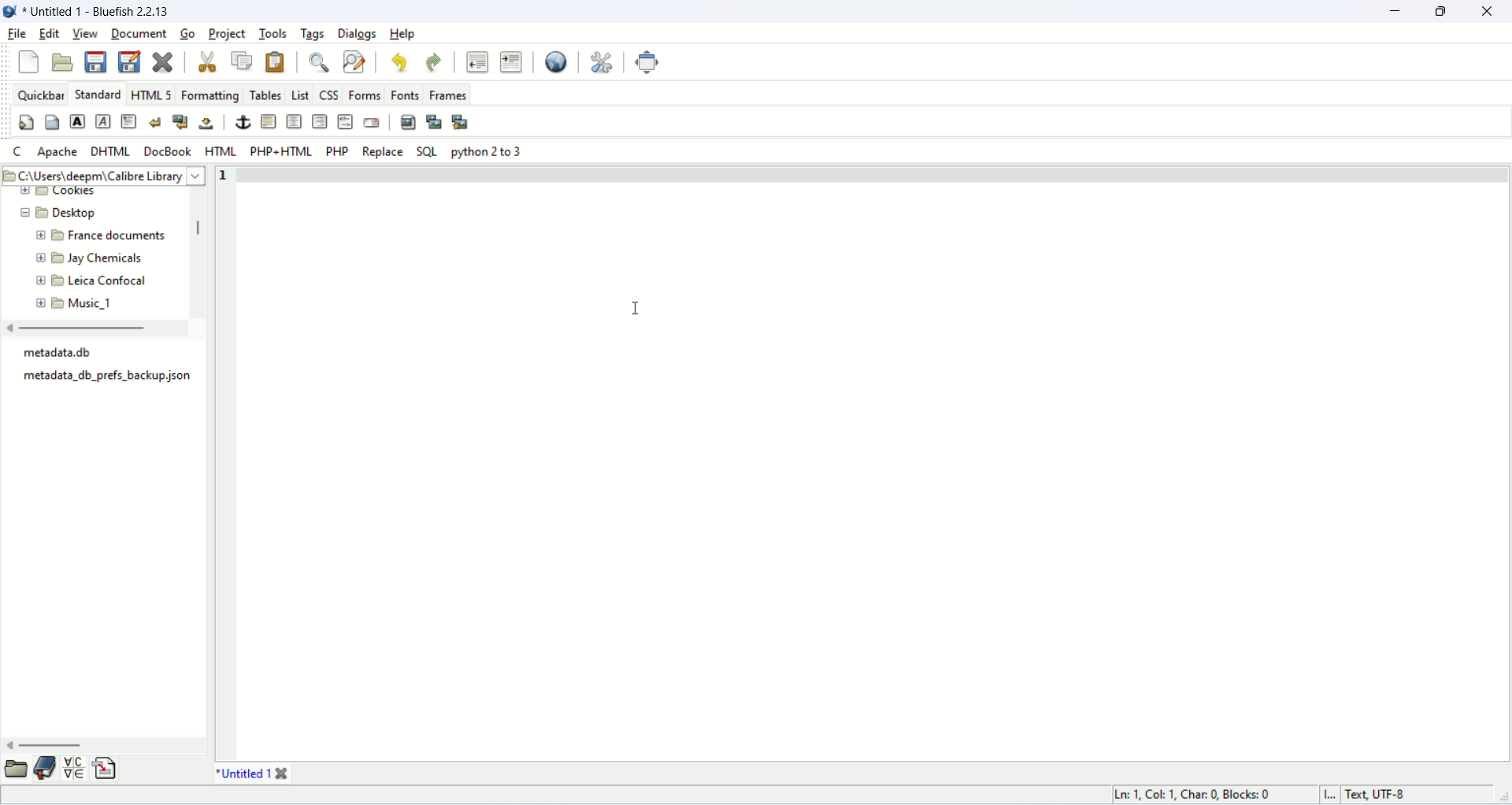 The width and height of the screenshot is (1512, 805). I want to click on Multi thumbnail, so click(458, 120).